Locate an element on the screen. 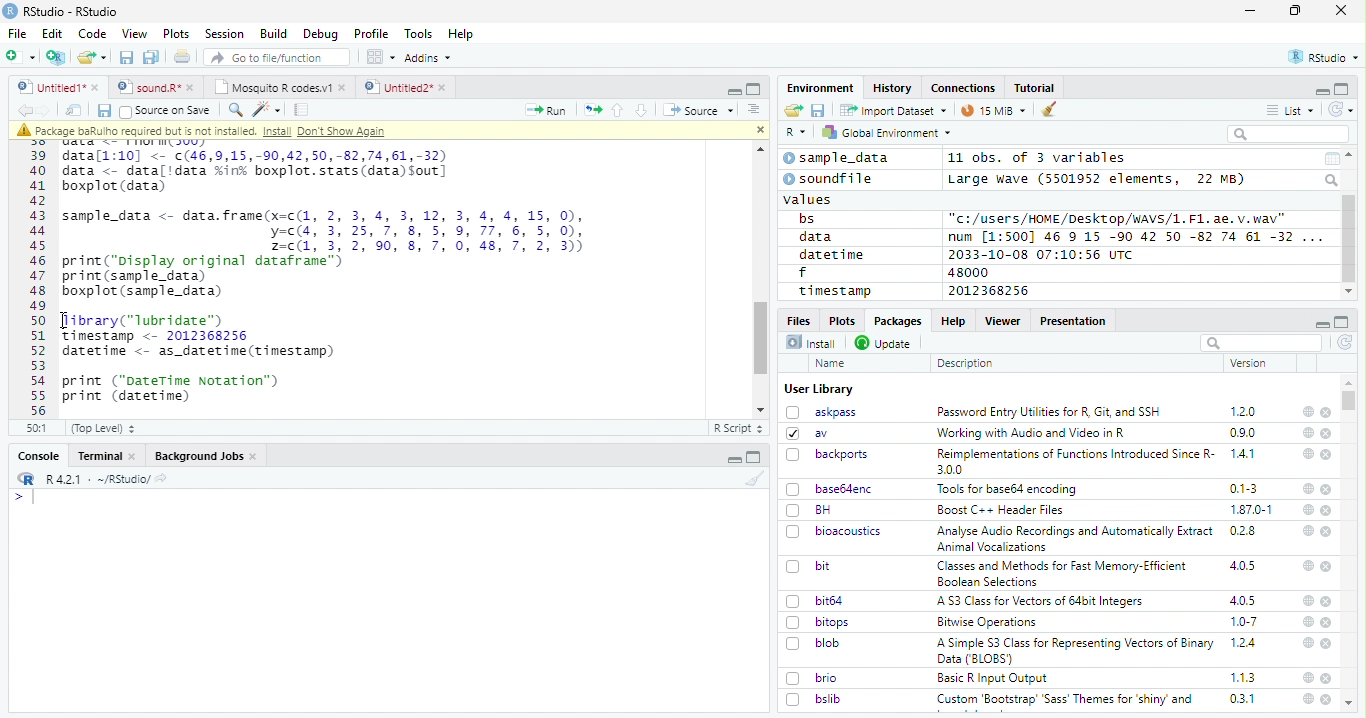  Tutorial is located at coordinates (1036, 88).